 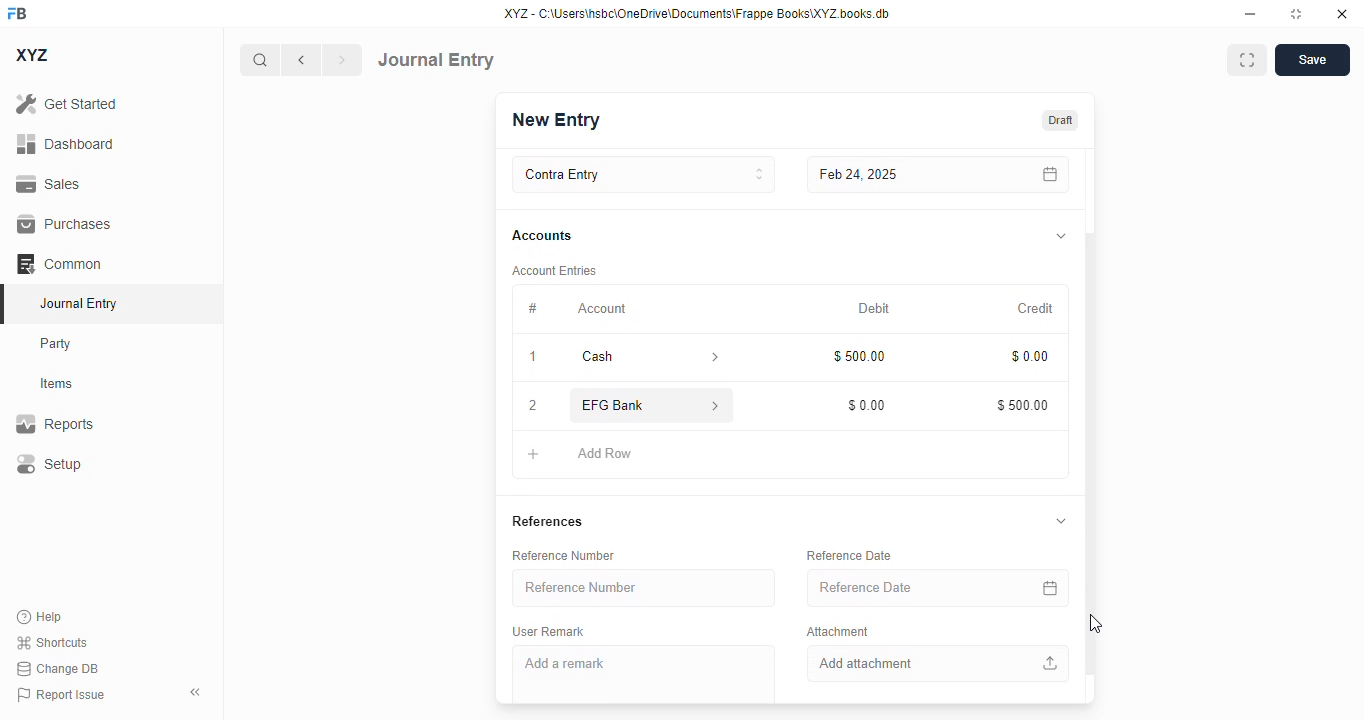 What do you see at coordinates (532, 310) in the screenshot?
I see `#` at bounding box center [532, 310].